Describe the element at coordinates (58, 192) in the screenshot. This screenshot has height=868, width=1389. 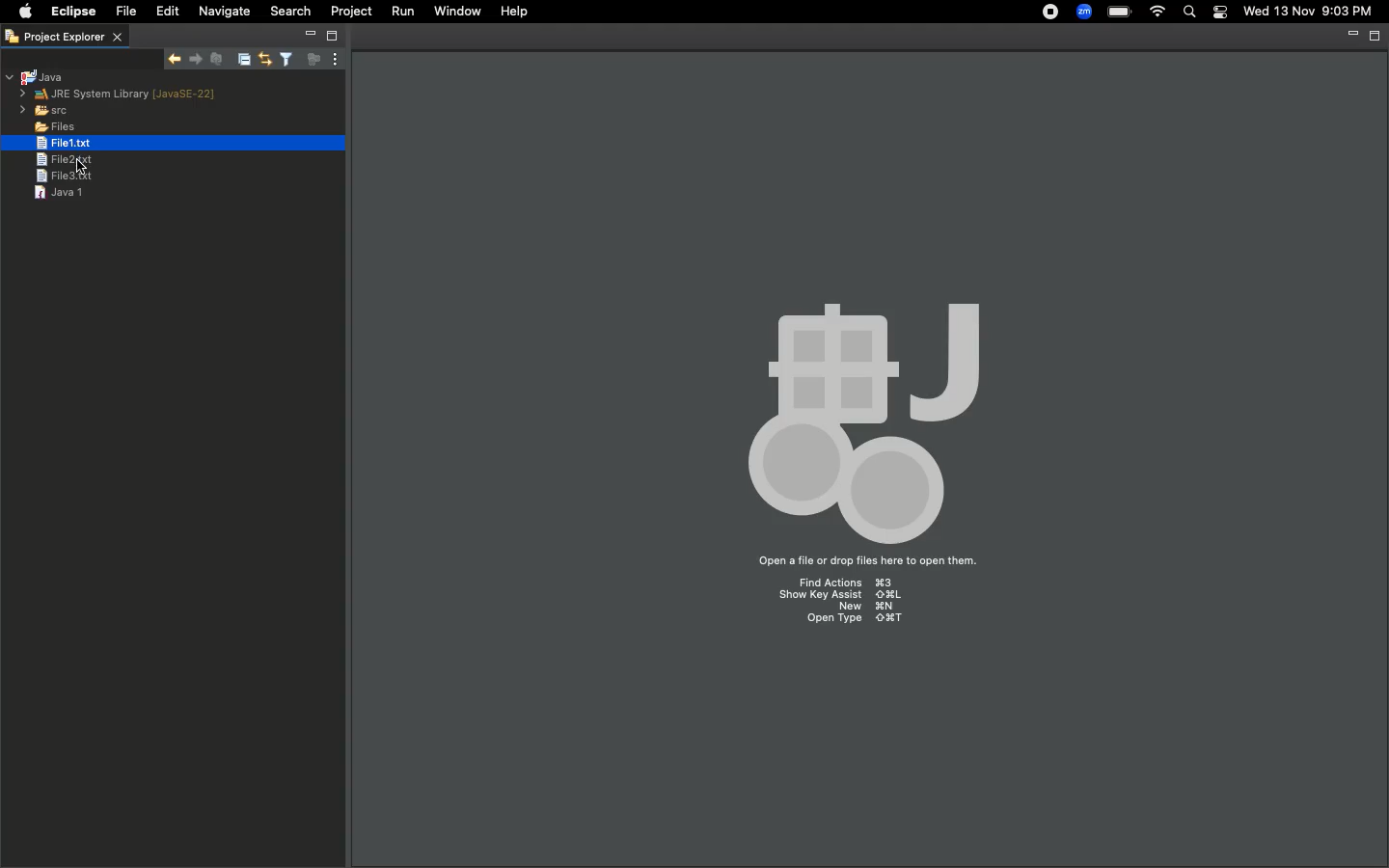
I see `Java 1` at that location.